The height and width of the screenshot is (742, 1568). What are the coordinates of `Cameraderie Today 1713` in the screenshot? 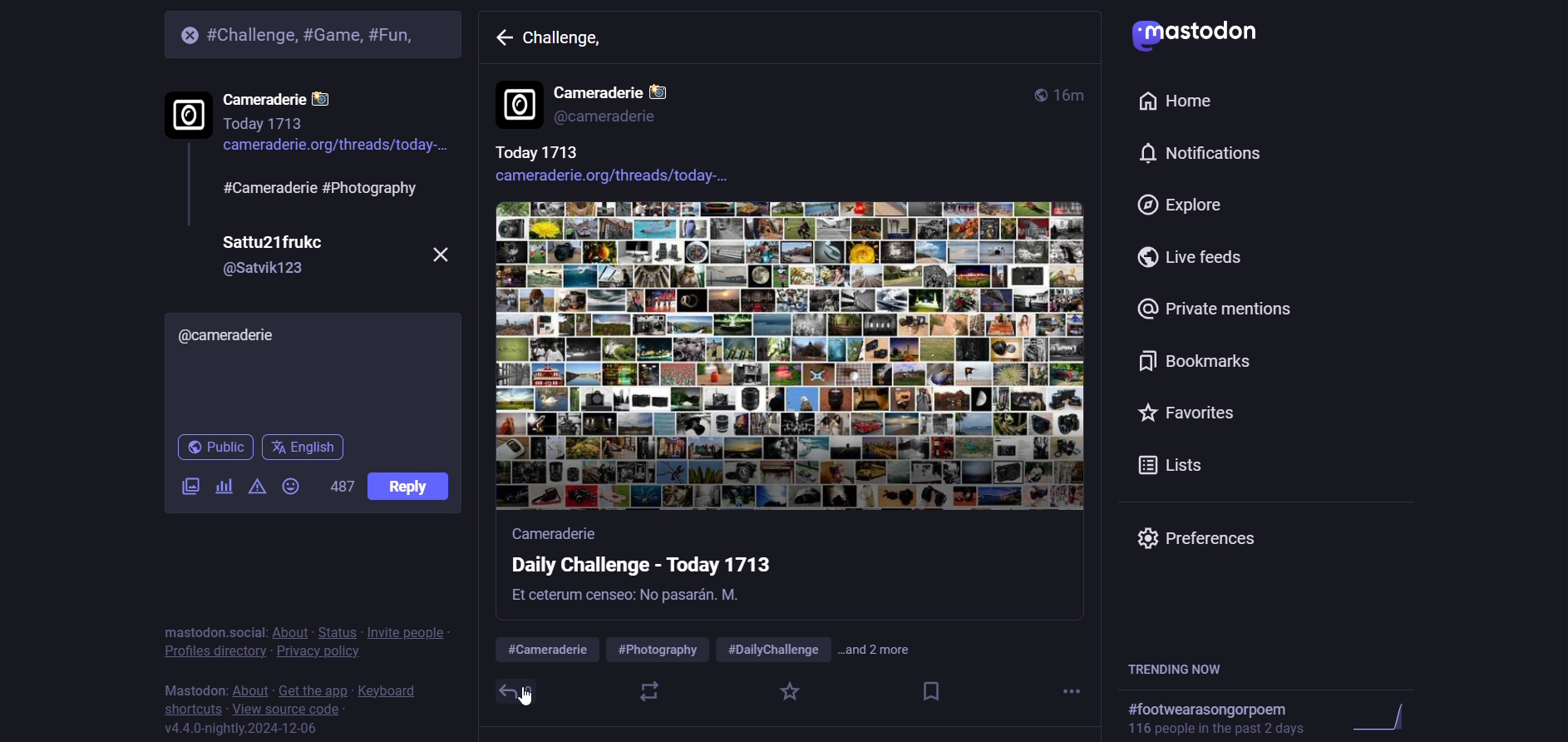 It's located at (296, 102).